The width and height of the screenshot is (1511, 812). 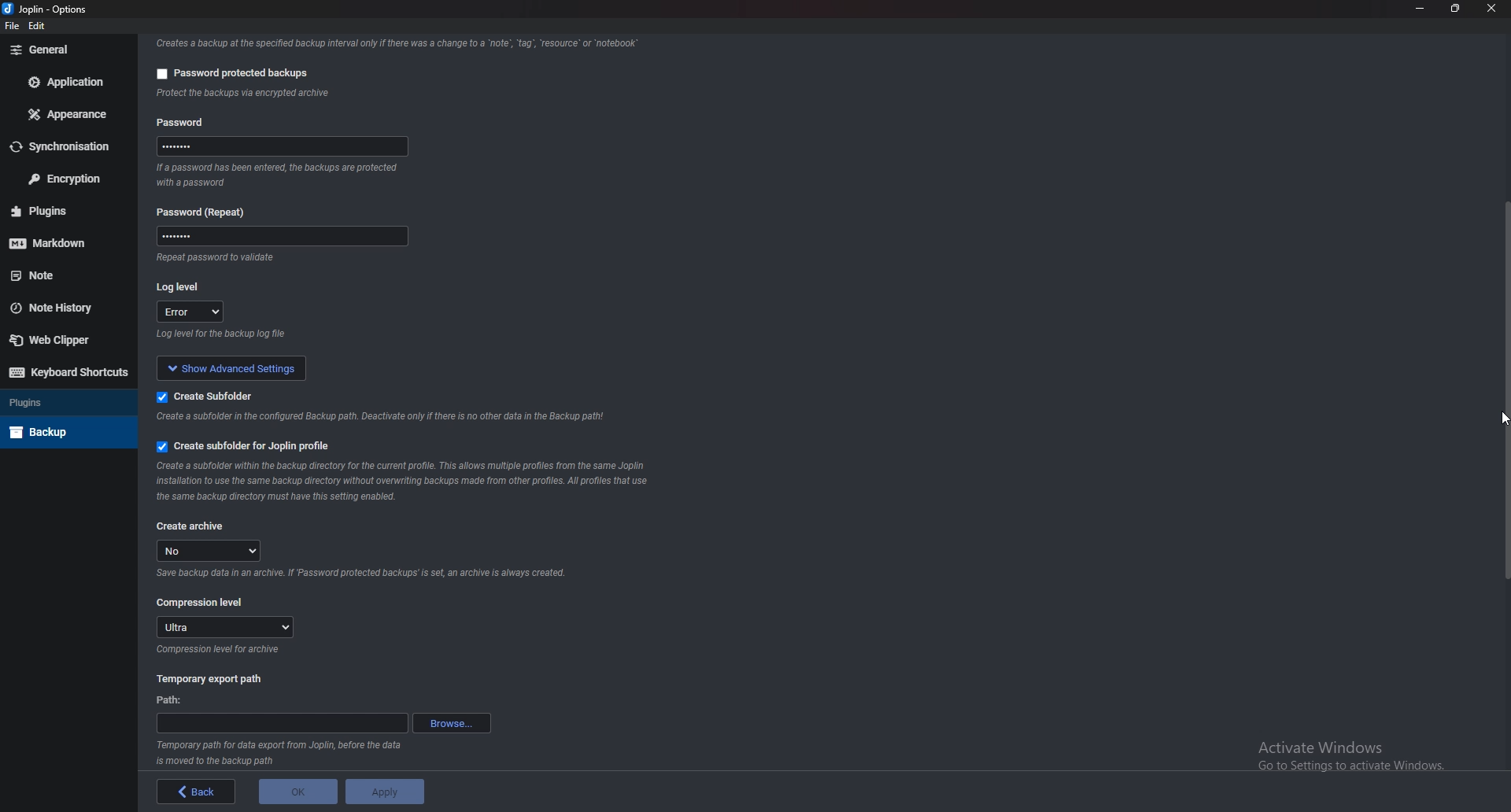 I want to click on Info, so click(x=281, y=754).